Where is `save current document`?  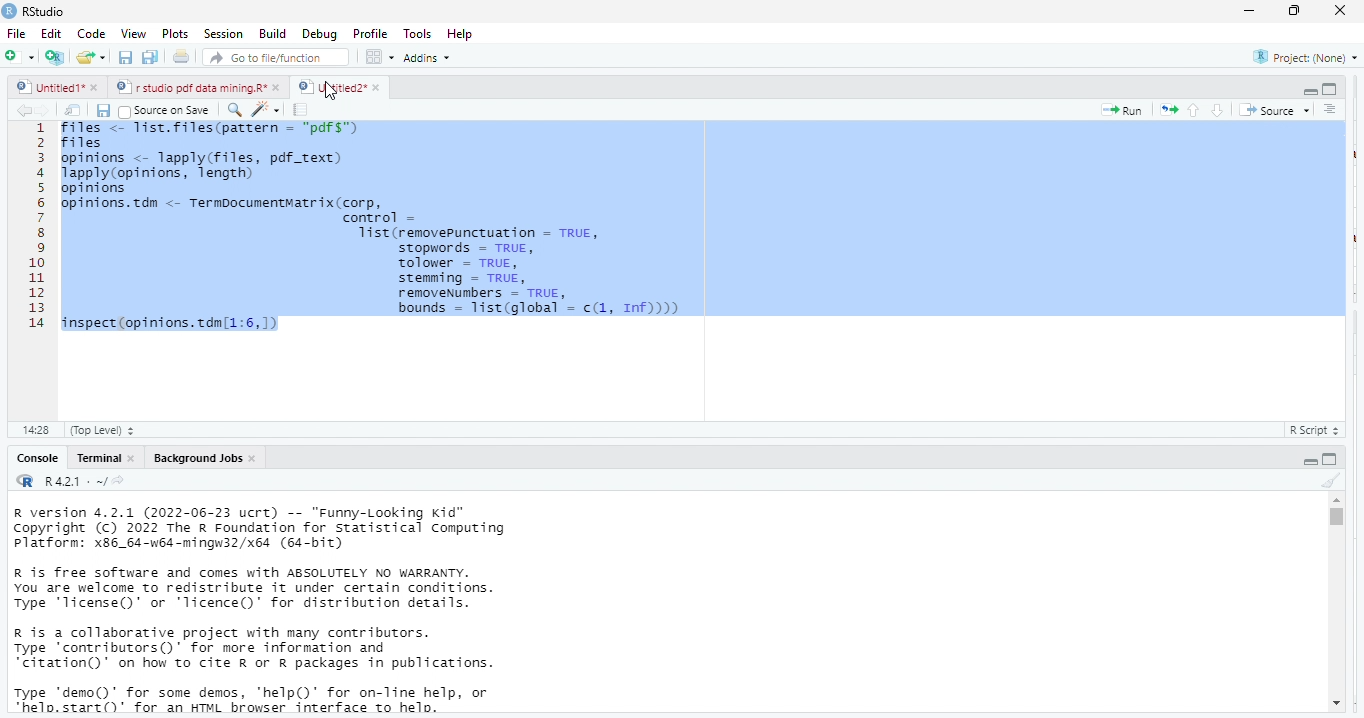
save current document is located at coordinates (126, 58).